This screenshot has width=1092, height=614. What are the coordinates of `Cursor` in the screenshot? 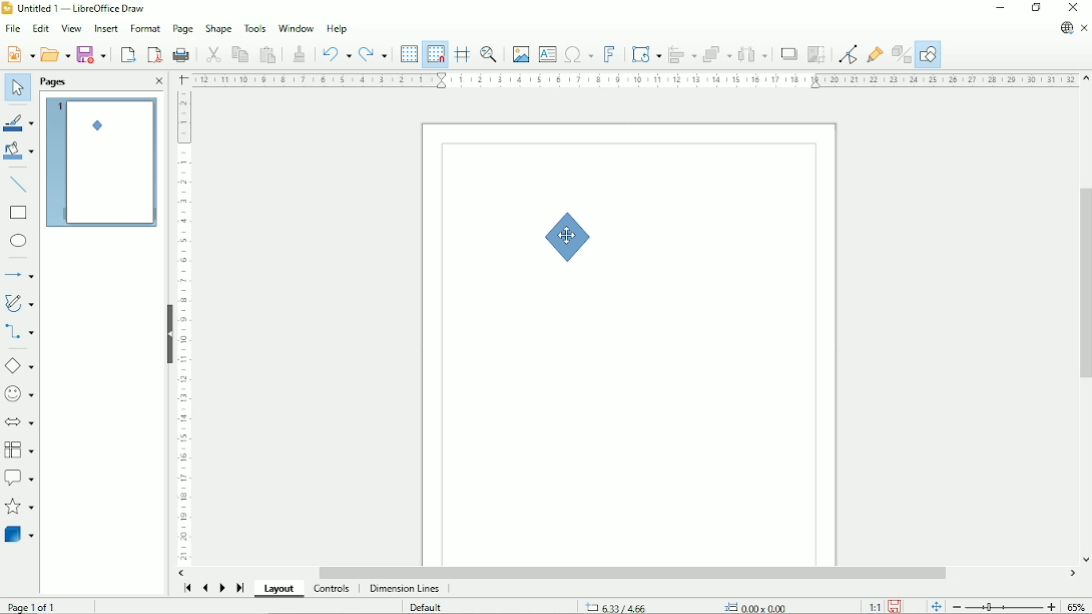 It's located at (566, 236).